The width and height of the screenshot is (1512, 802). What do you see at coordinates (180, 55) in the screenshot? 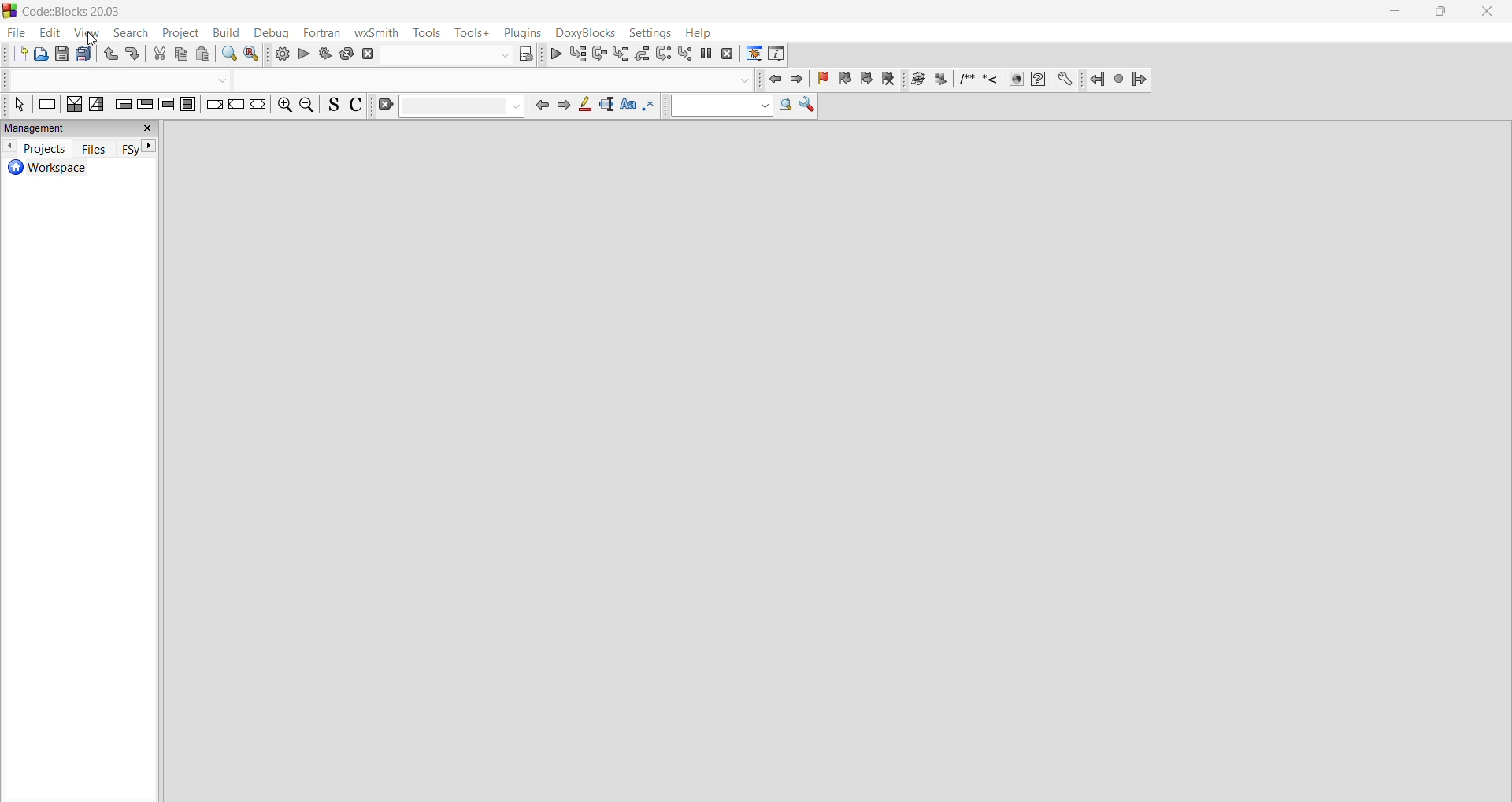
I see `copy` at bounding box center [180, 55].